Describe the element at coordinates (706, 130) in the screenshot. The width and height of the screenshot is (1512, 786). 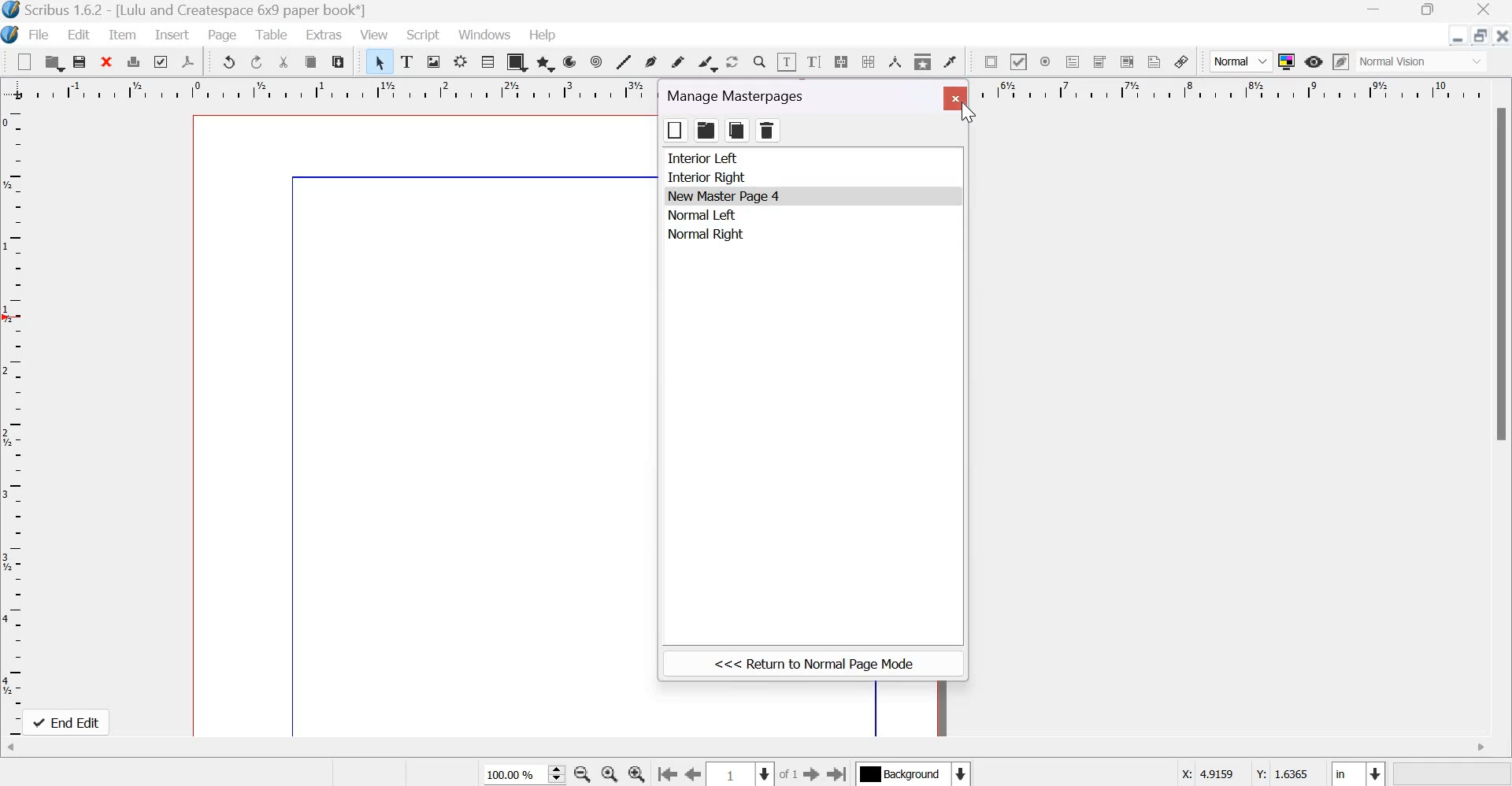
I see `folder` at that location.